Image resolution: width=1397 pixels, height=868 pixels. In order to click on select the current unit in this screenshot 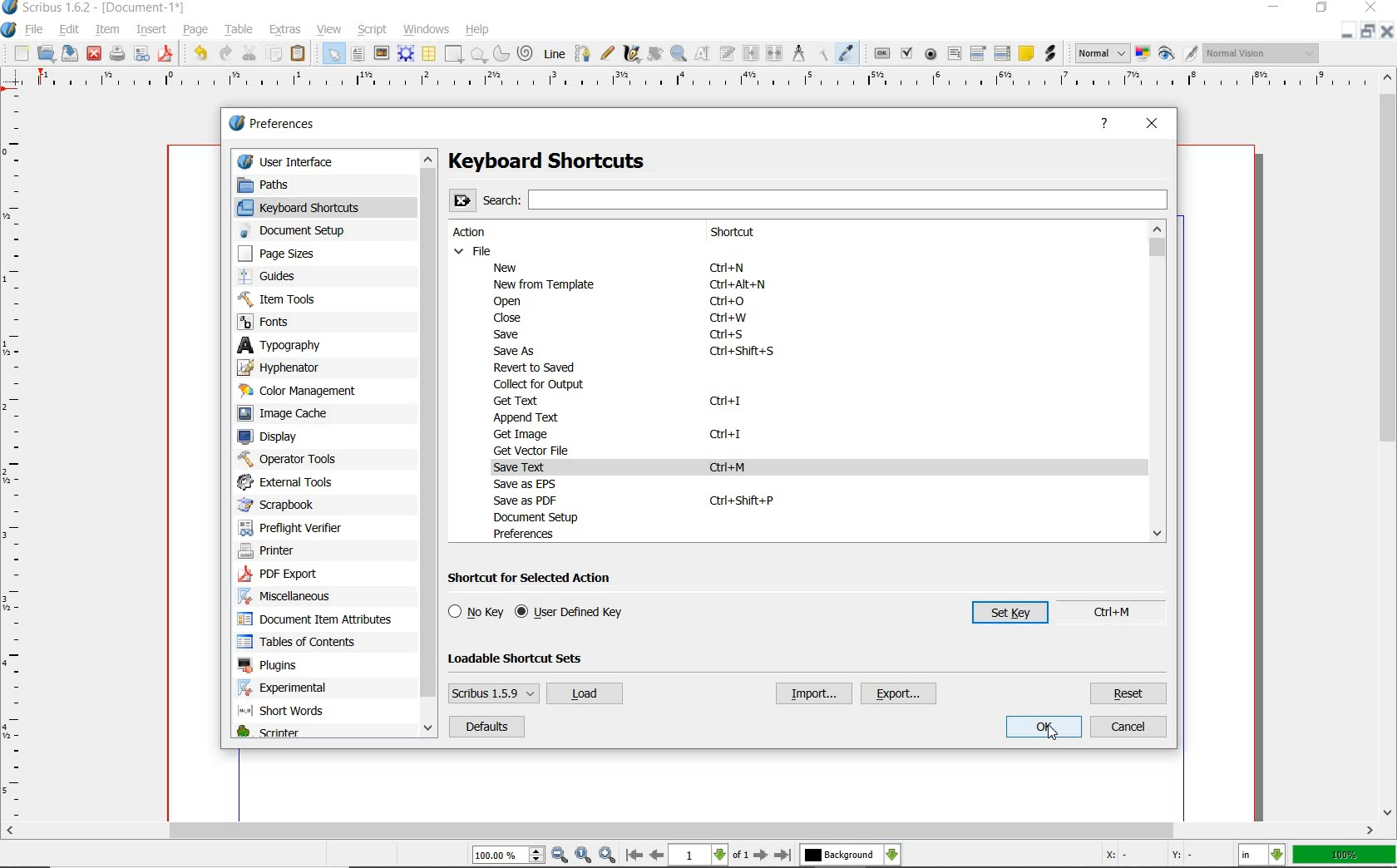, I will do `click(1261, 856)`.